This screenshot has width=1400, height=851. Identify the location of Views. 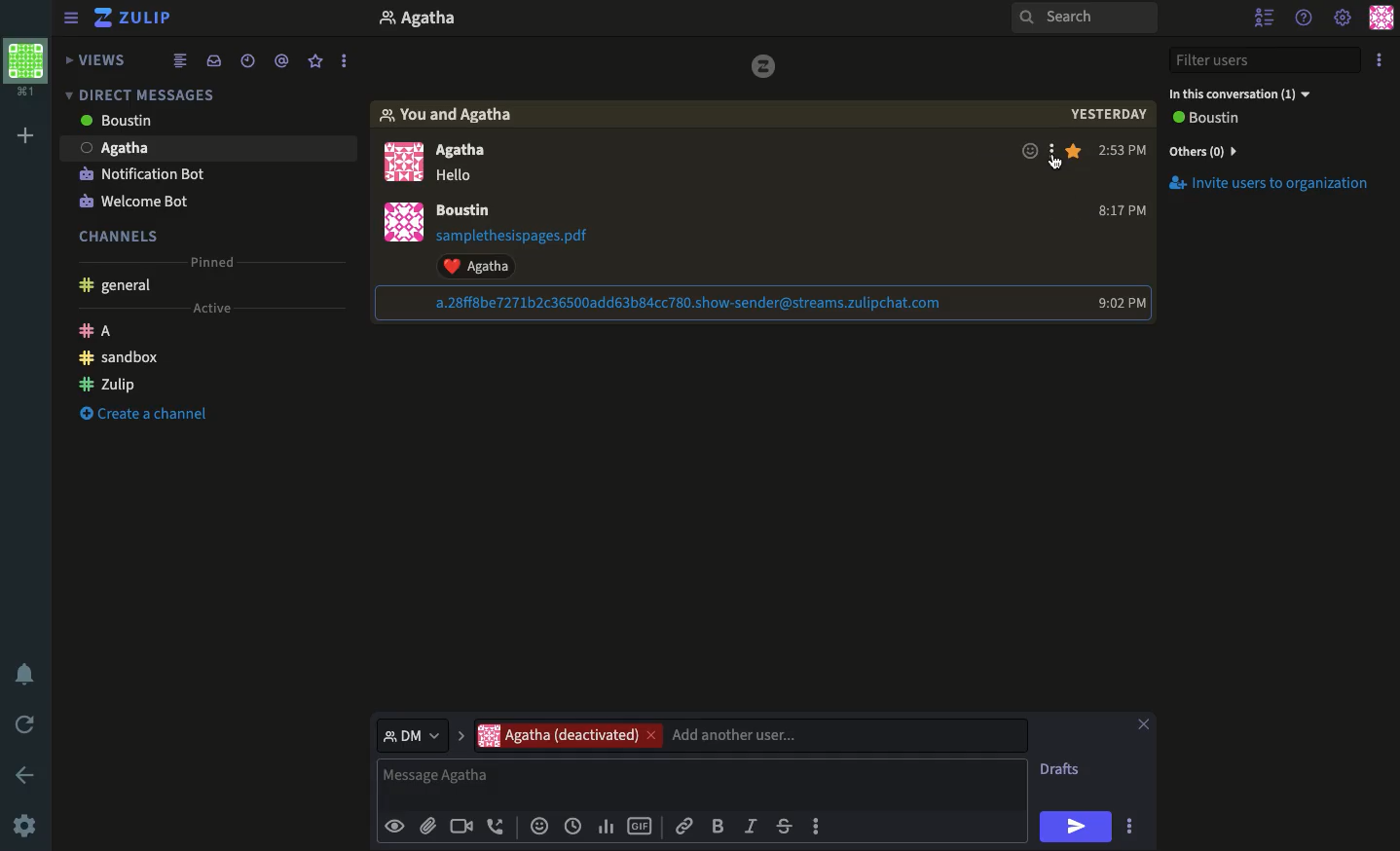
(99, 61).